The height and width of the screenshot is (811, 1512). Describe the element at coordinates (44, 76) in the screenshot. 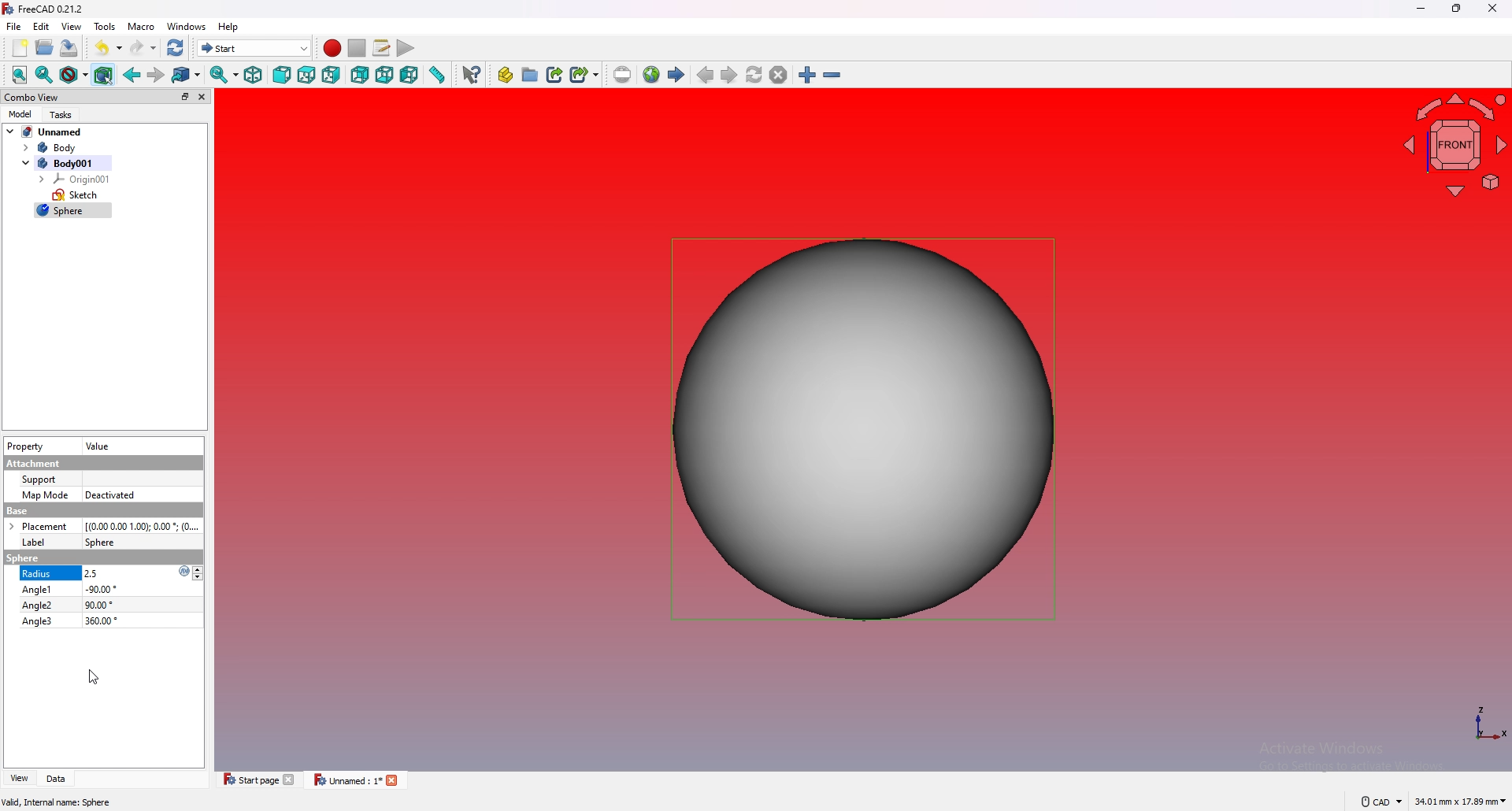

I see `fit selection` at that location.